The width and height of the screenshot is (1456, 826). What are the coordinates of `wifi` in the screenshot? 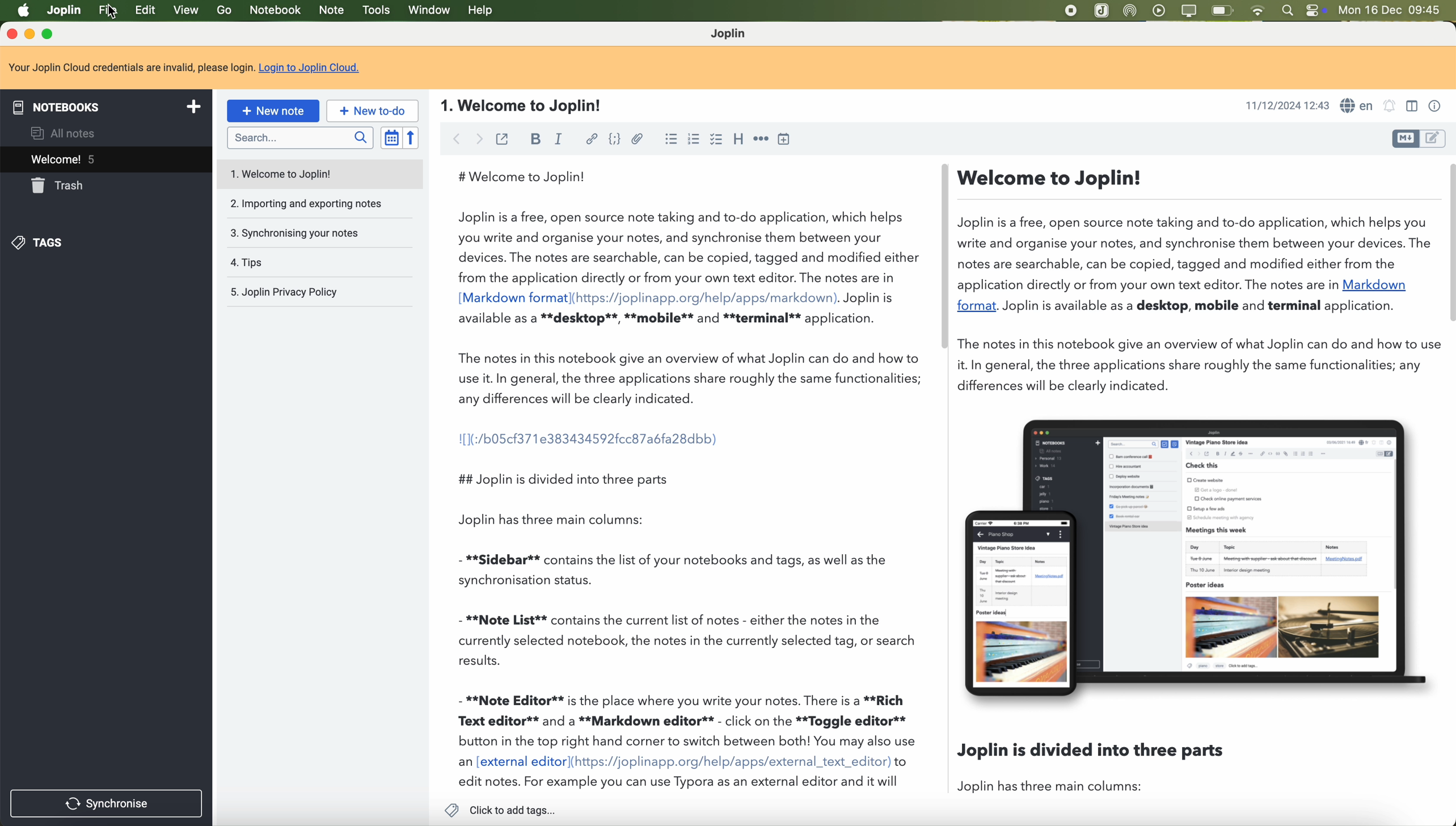 It's located at (1260, 11).